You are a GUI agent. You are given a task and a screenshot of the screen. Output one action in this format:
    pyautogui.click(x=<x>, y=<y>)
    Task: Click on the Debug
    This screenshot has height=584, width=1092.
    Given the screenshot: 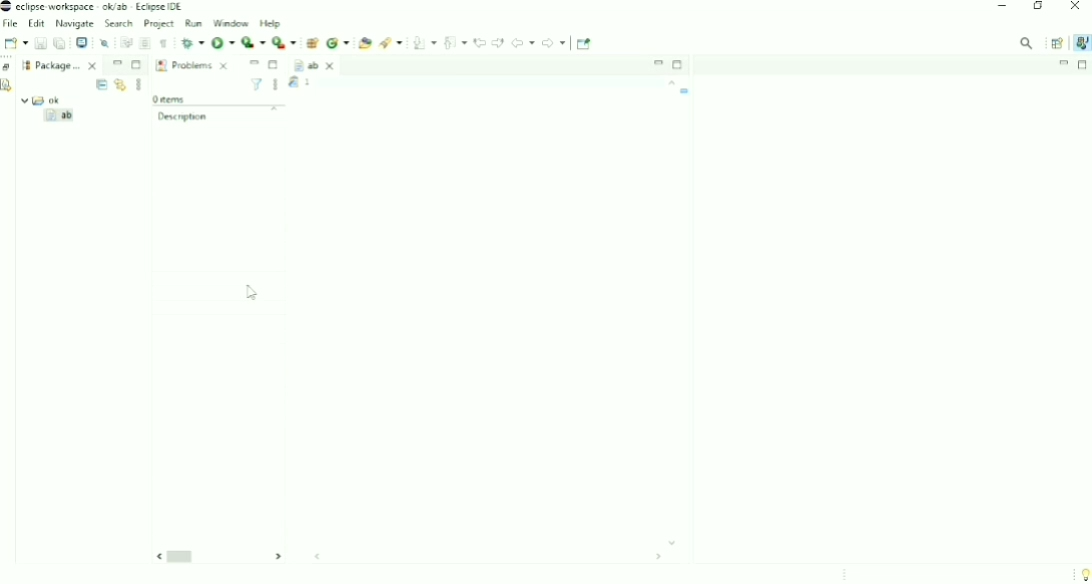 What is the action you would take?
    pyautogui.click(x=193, y=43)
    